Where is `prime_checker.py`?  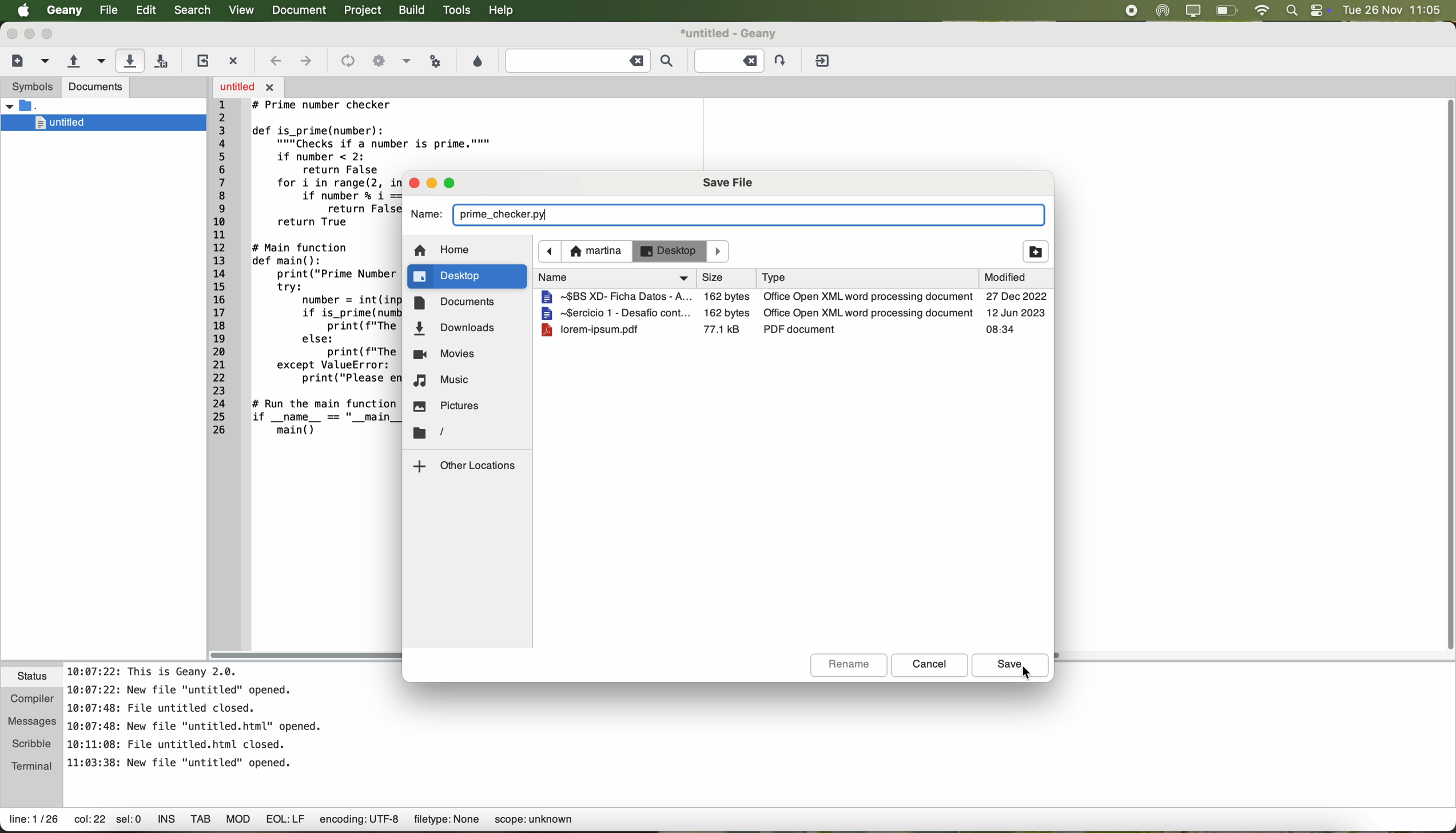 prime_checker.py is located at coordinates (501, 215).